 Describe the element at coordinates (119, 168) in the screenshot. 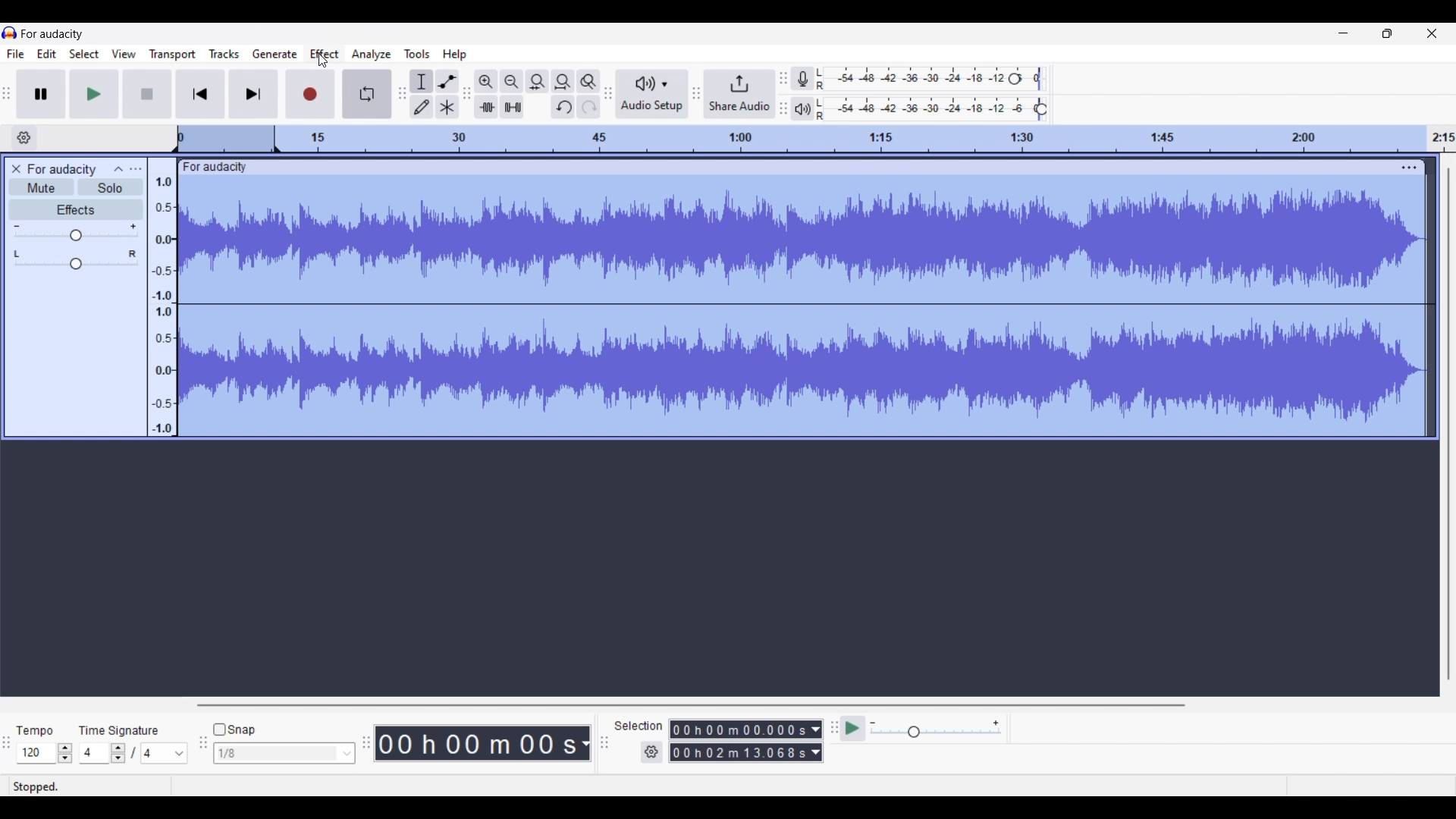

I see `Collapse` at that location.